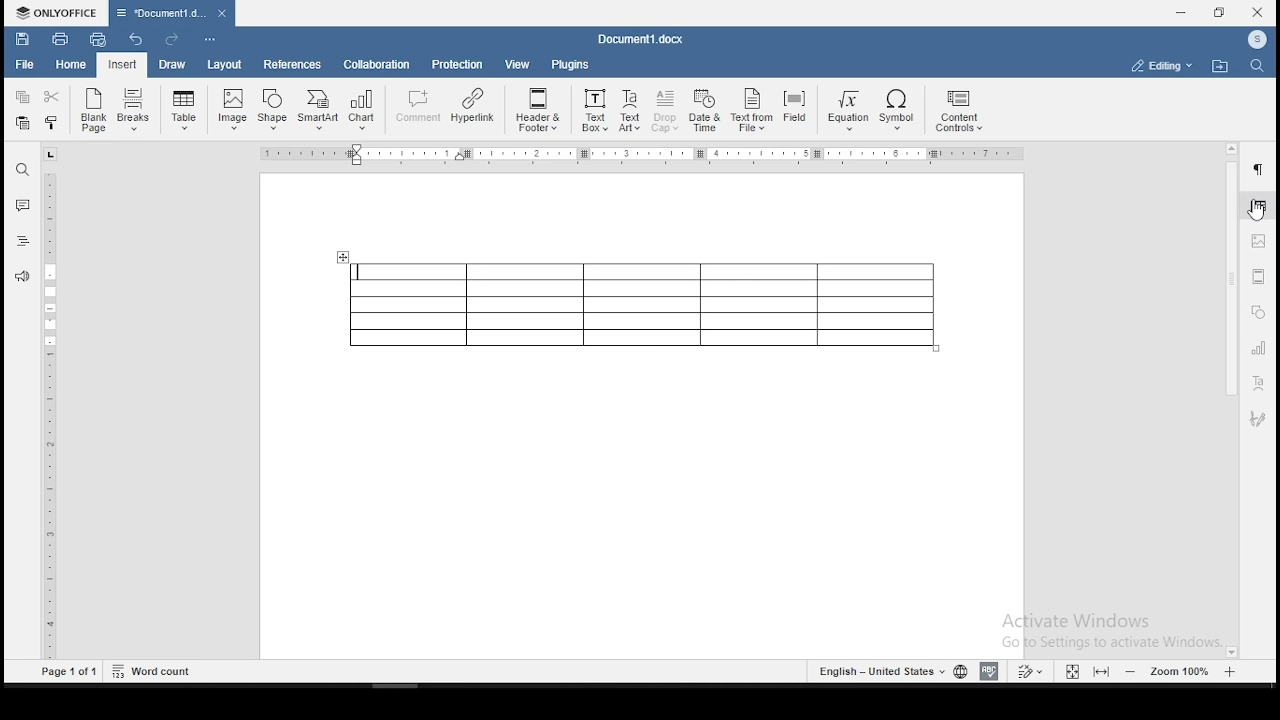 This screenshot has width=1280, height=720. Describe the element at coordinates (1183, 12) in the screenshot. I see `minimize` at that location.